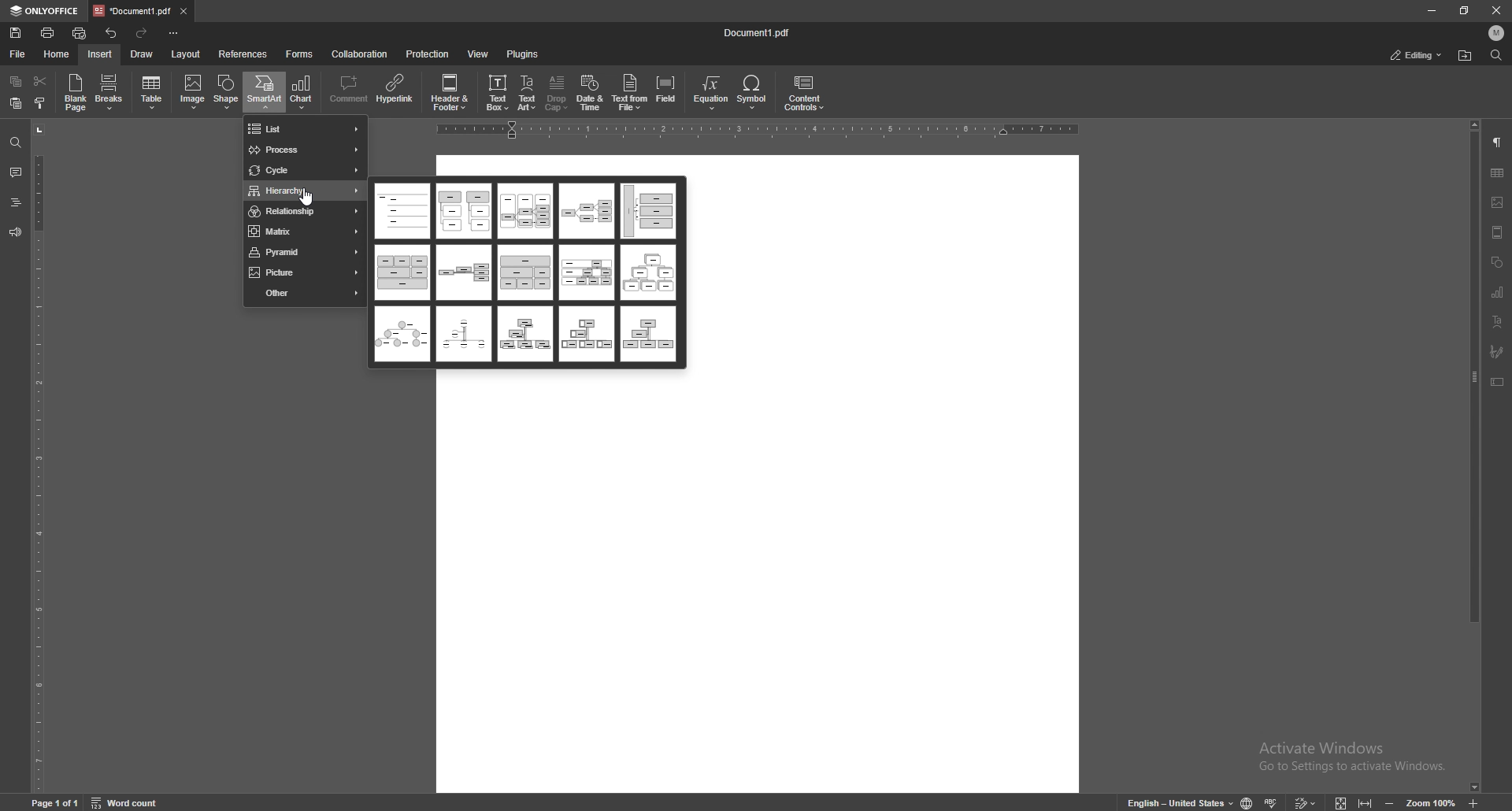 Image resolution: width=1512 pixels, height=811 pixels. Describe the element at coordinates (1497, 33) in the screenshot. I see `profile` at that location.